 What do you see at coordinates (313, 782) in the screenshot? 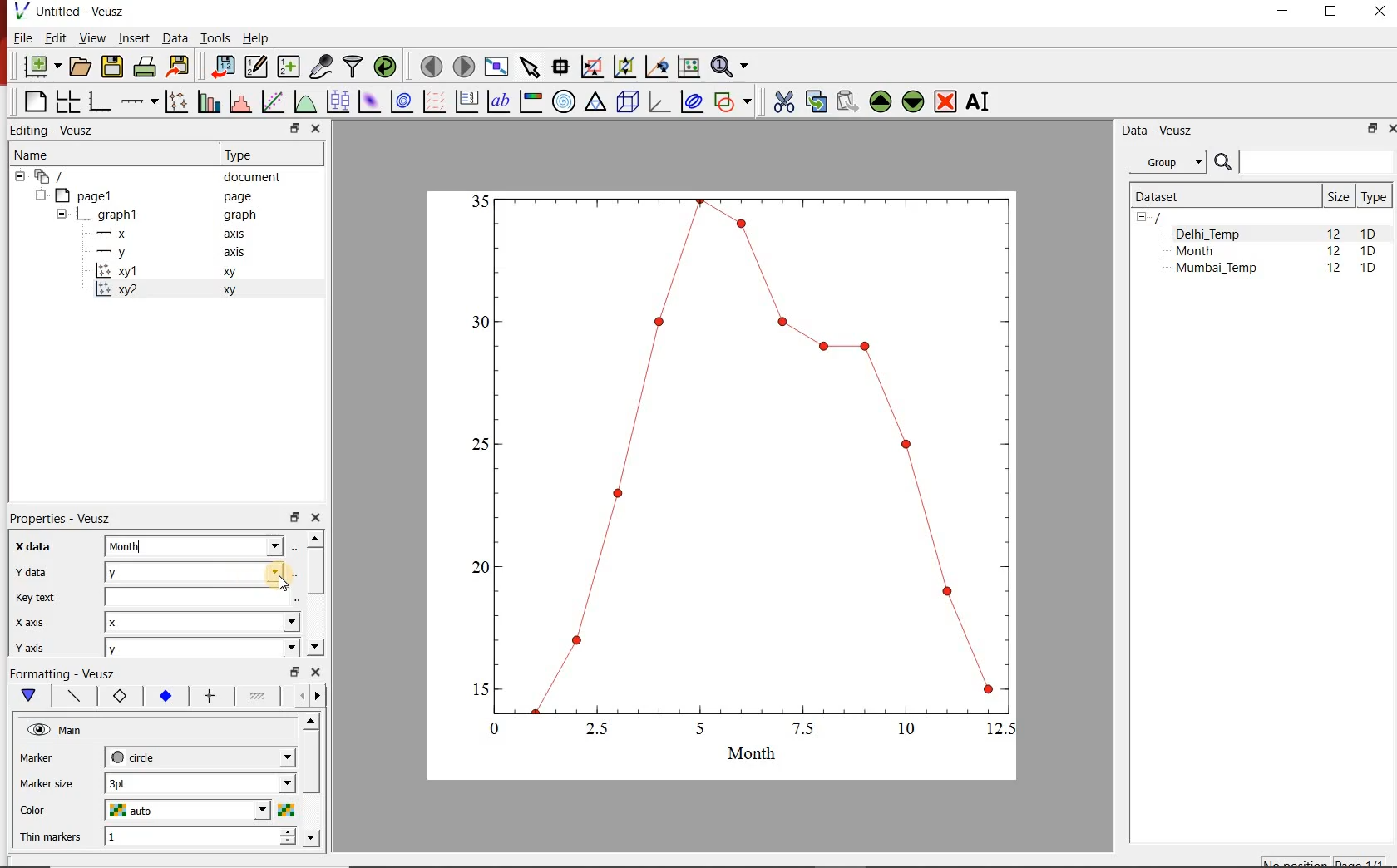
I see `scrollbar` at bounding box center [313, 782].